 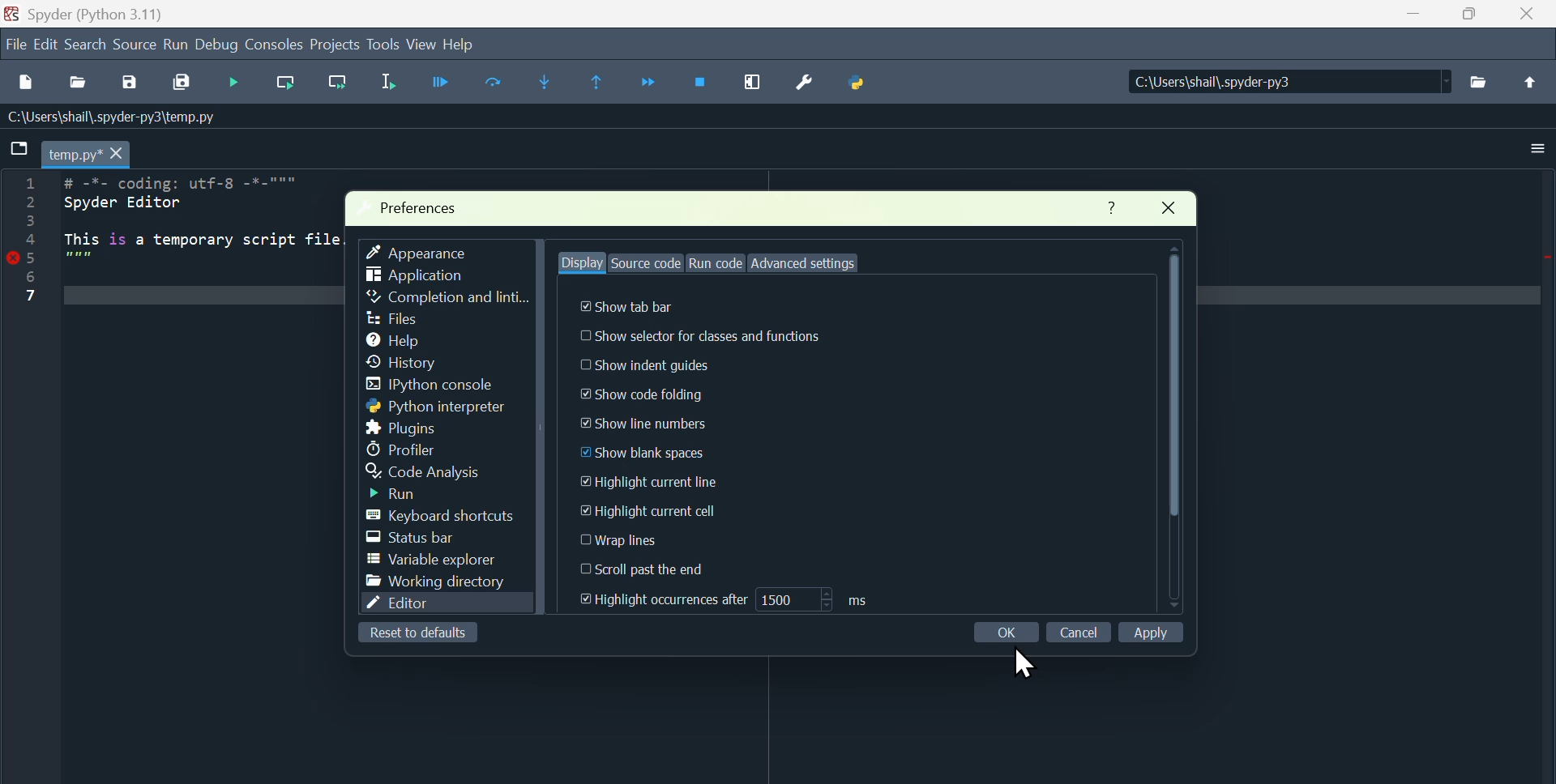 I want to click on history, so click(x=412, y=363).